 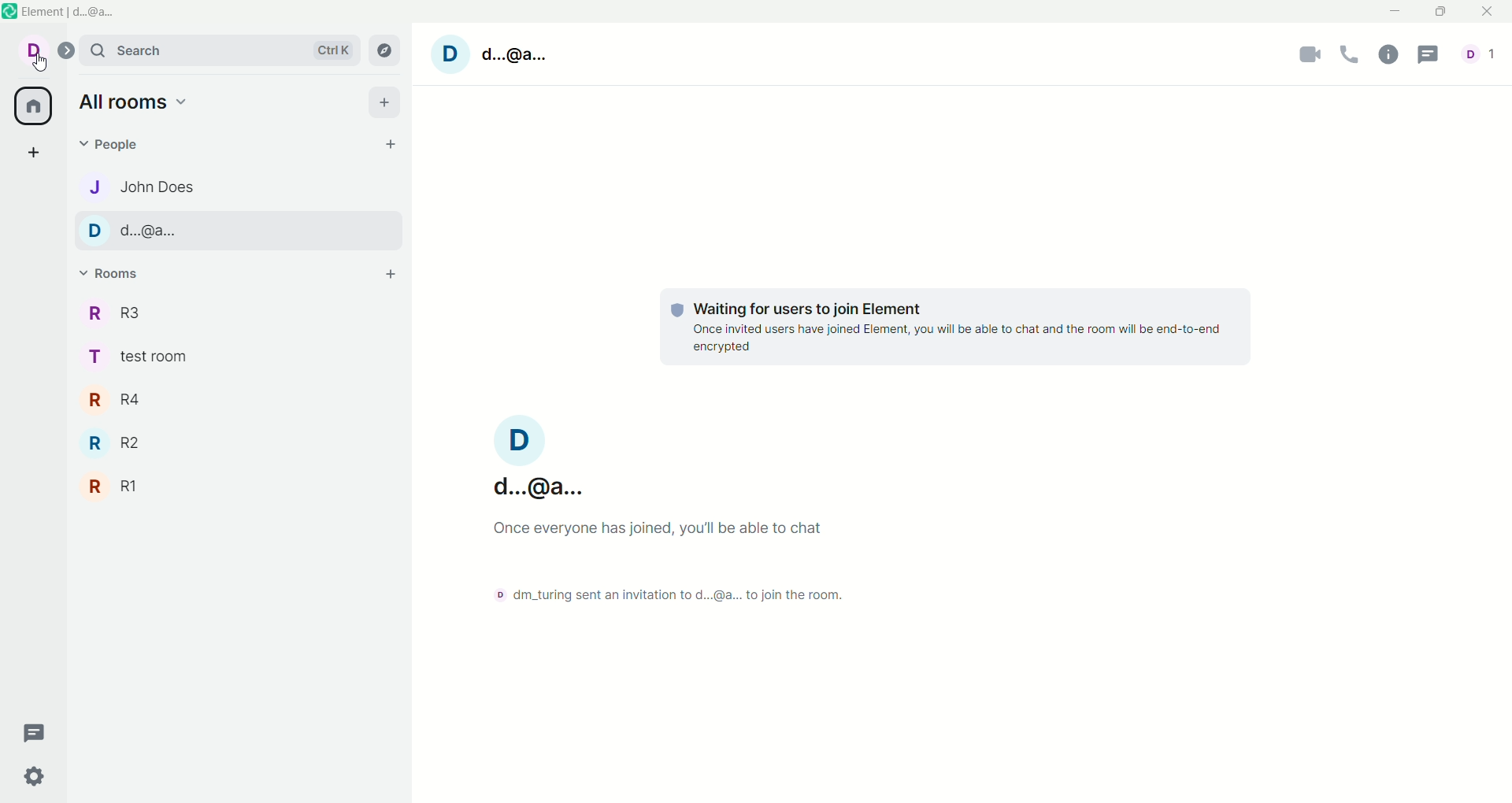 I want to click on TEST ROOM, so click(x=145, y=361).